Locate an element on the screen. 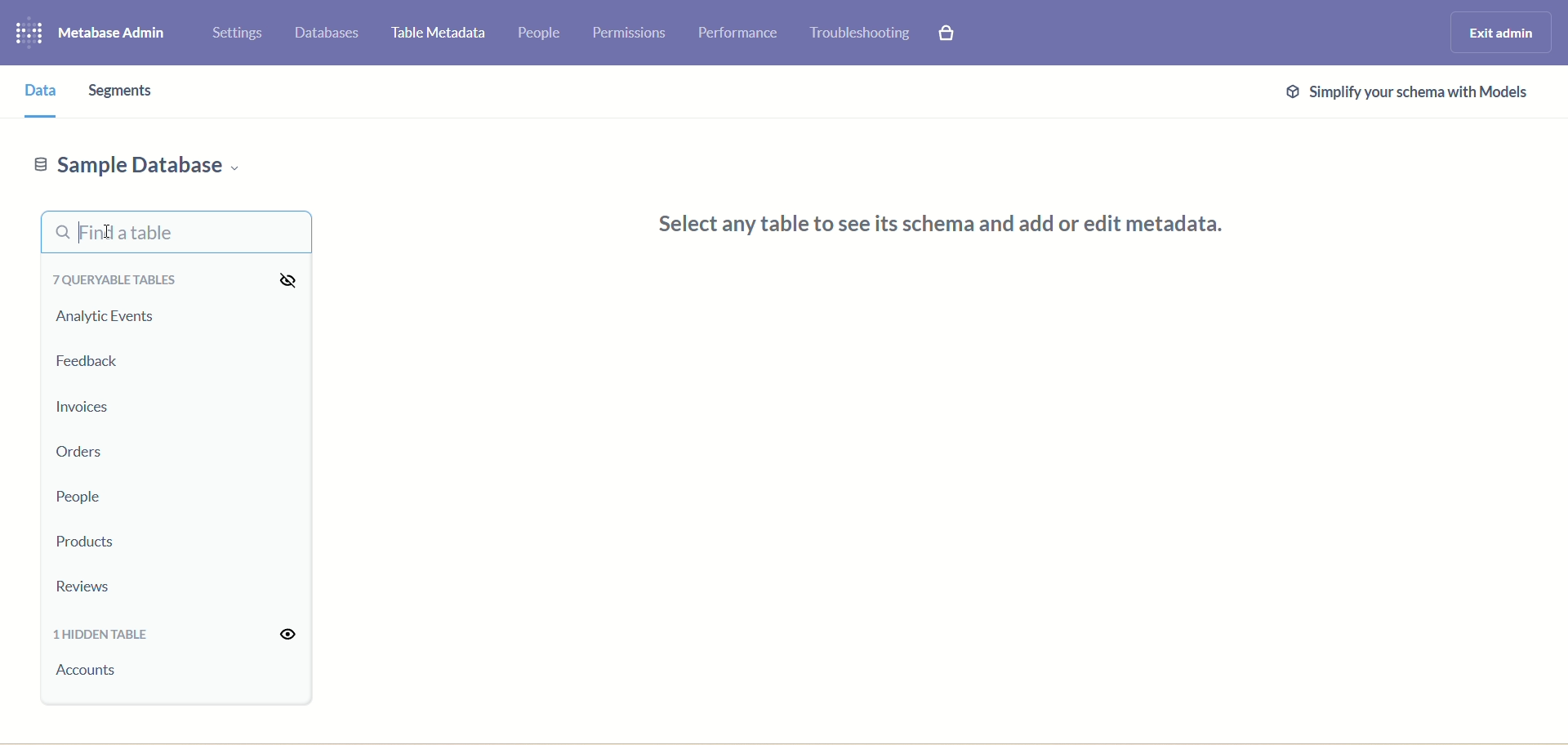 This screenshot has width=1568, height=745. Select any table to see its schema and add or edit metadata. is located at coordinates (939, 225).